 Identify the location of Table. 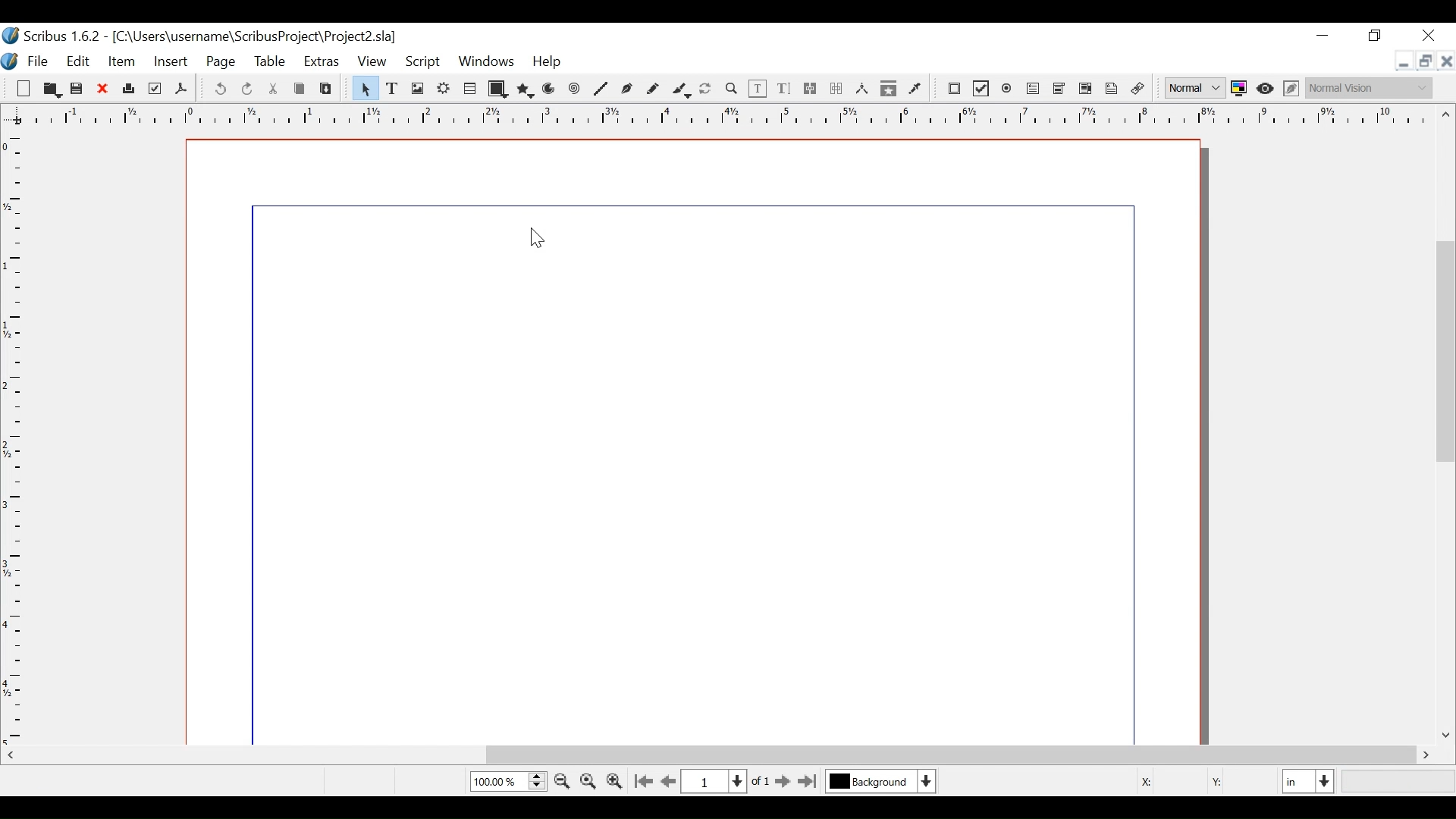
(470, 90).